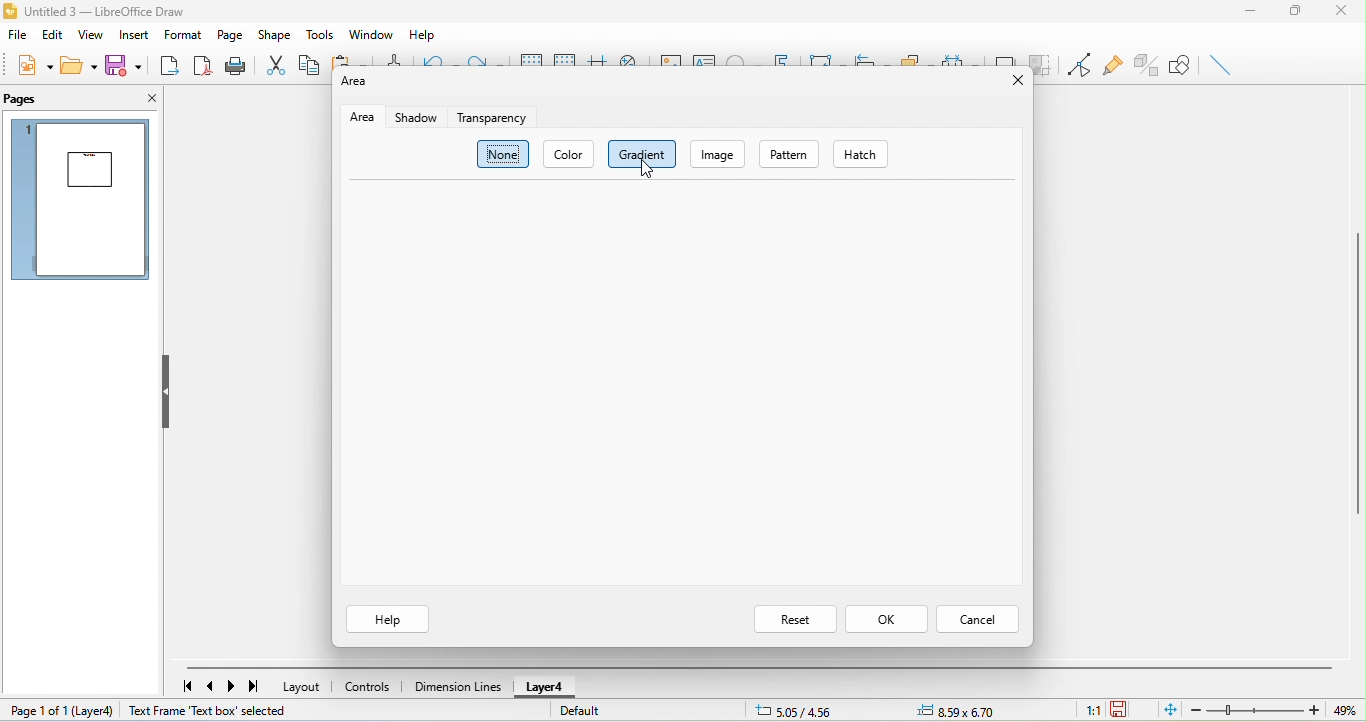 The width and height of the screenshot is (1366, 722). Describe the element at coordinates (1006, 55) in the screenshot. I see `shadow` at that location.